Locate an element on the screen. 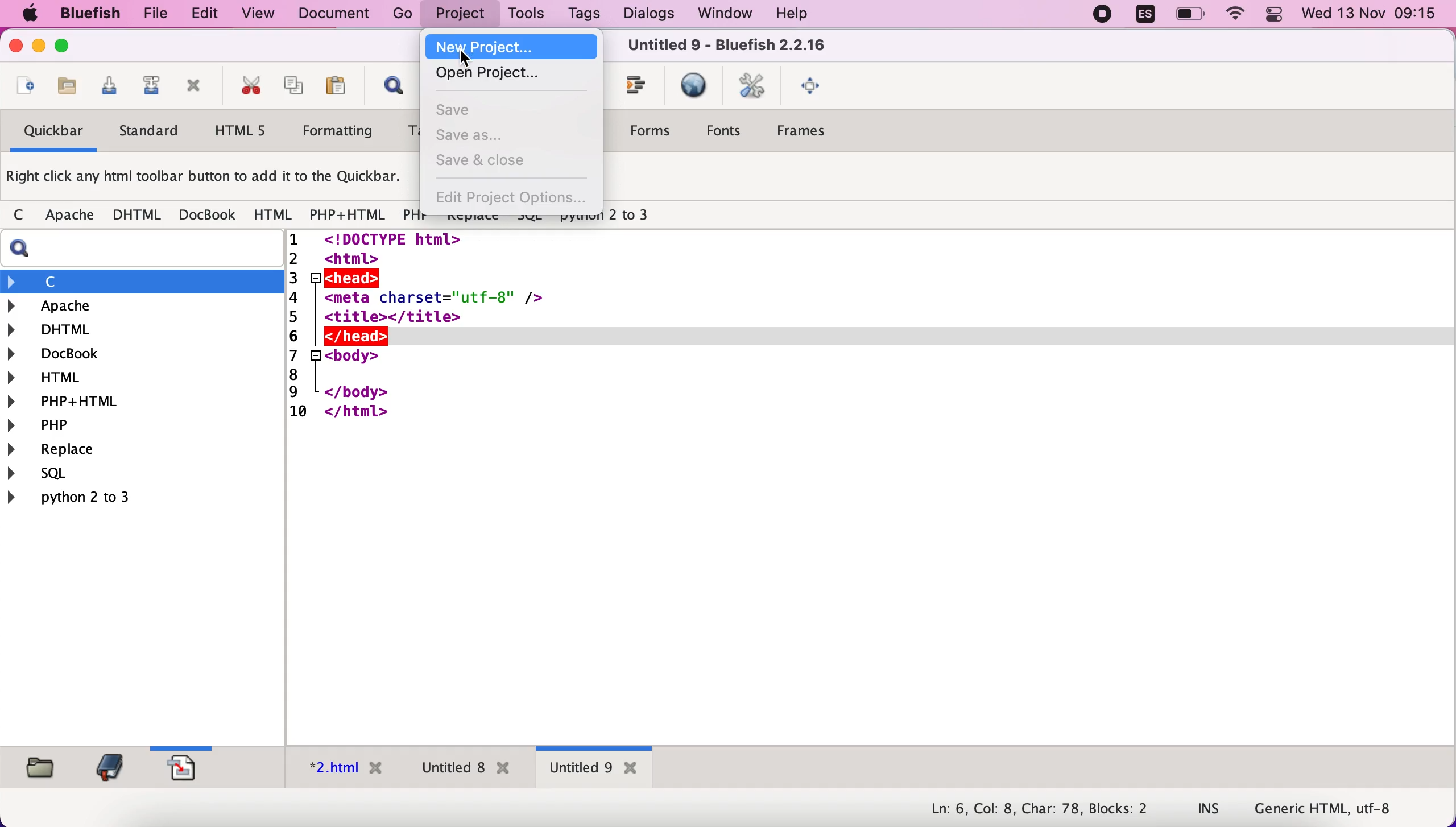 This screenshot has height=827, width=1456. right click any html toolbar button to add it to the quickbar is located at coordinates (211, 180).